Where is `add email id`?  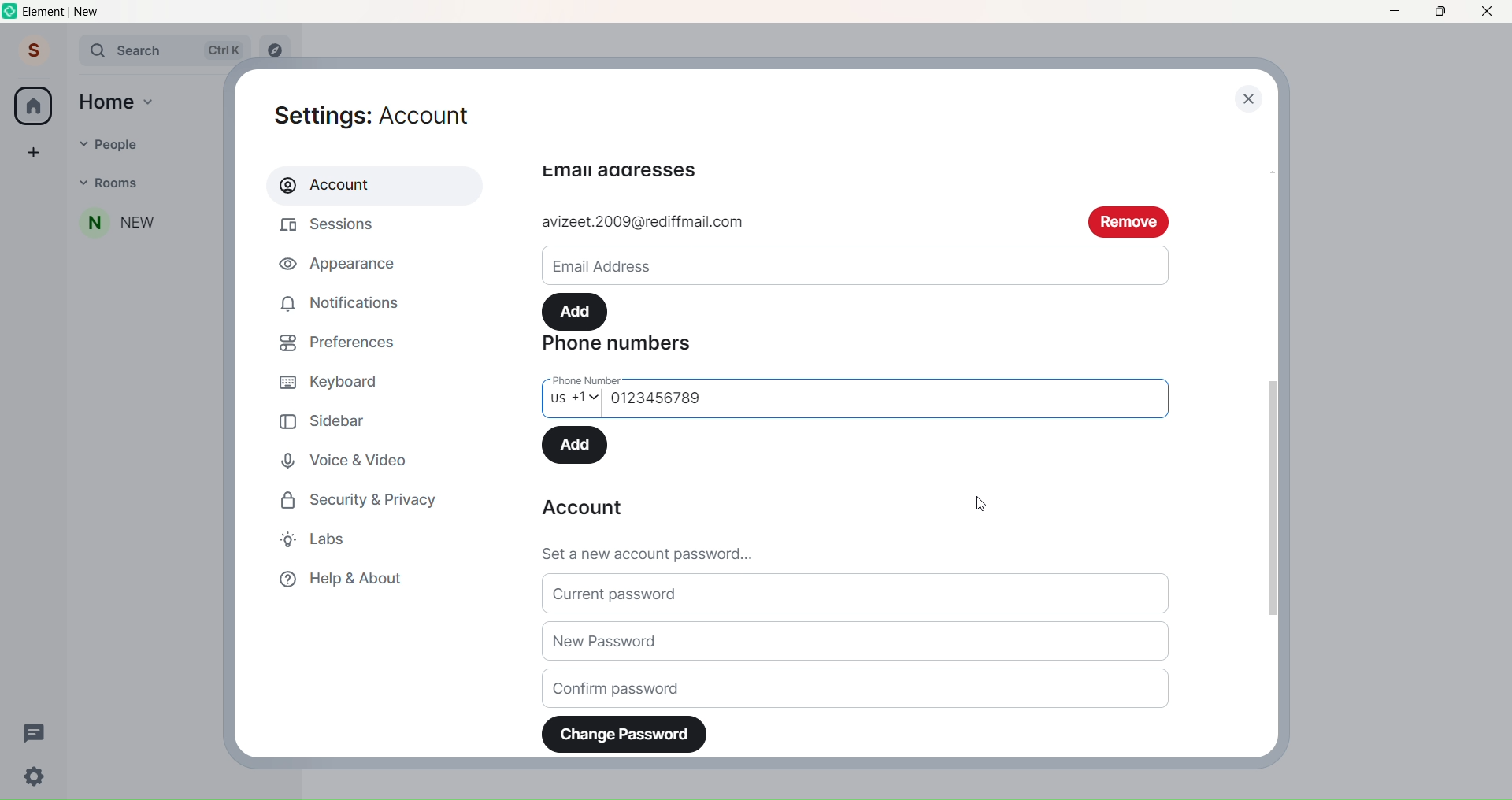 add email id is located at coordinates (795, 223).